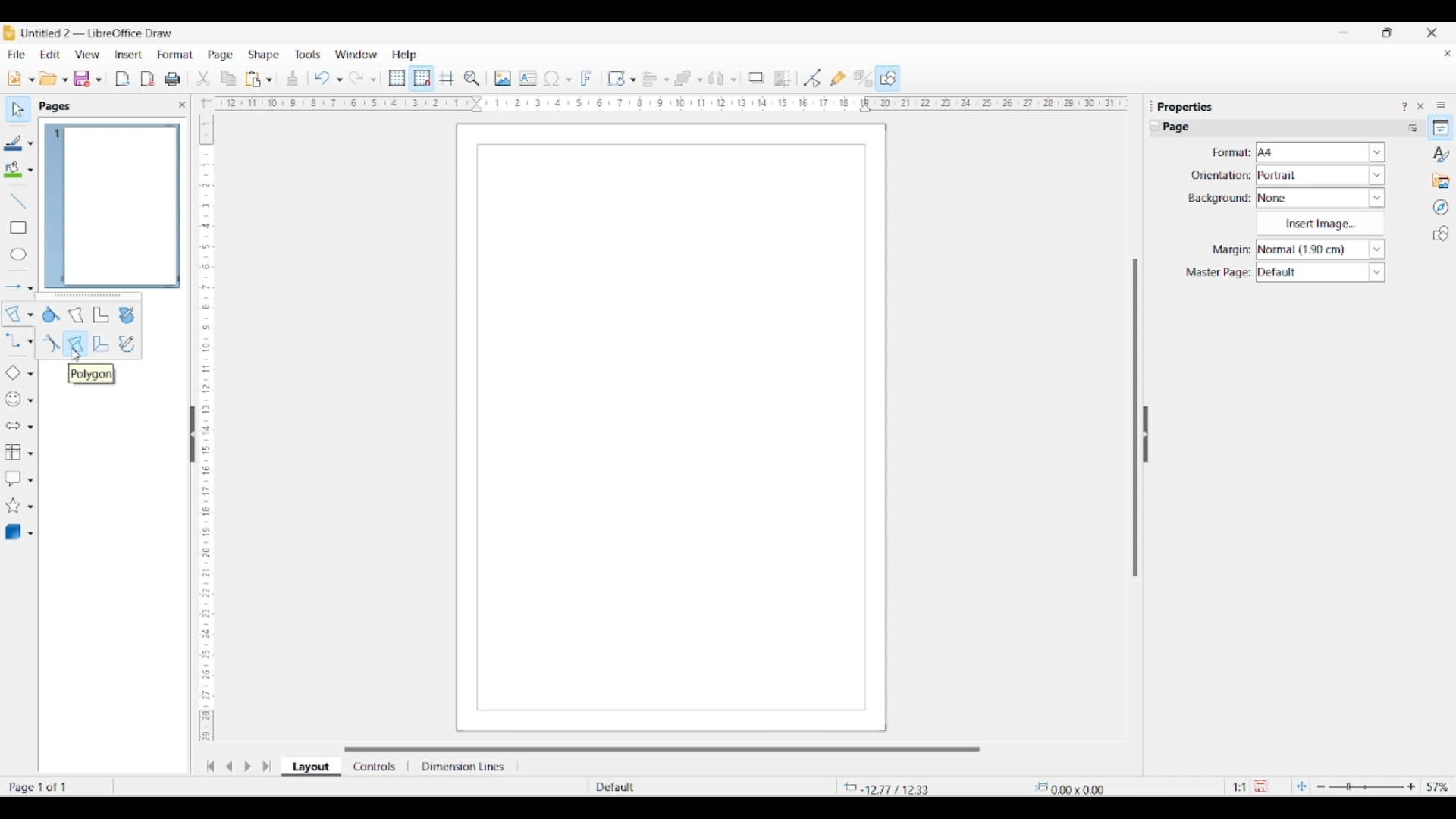 This screenshot has width=1456, height=819. Describe the element at coordinates (813, 79) in the screenshot. I see `Toggle point edit mode` at that location.